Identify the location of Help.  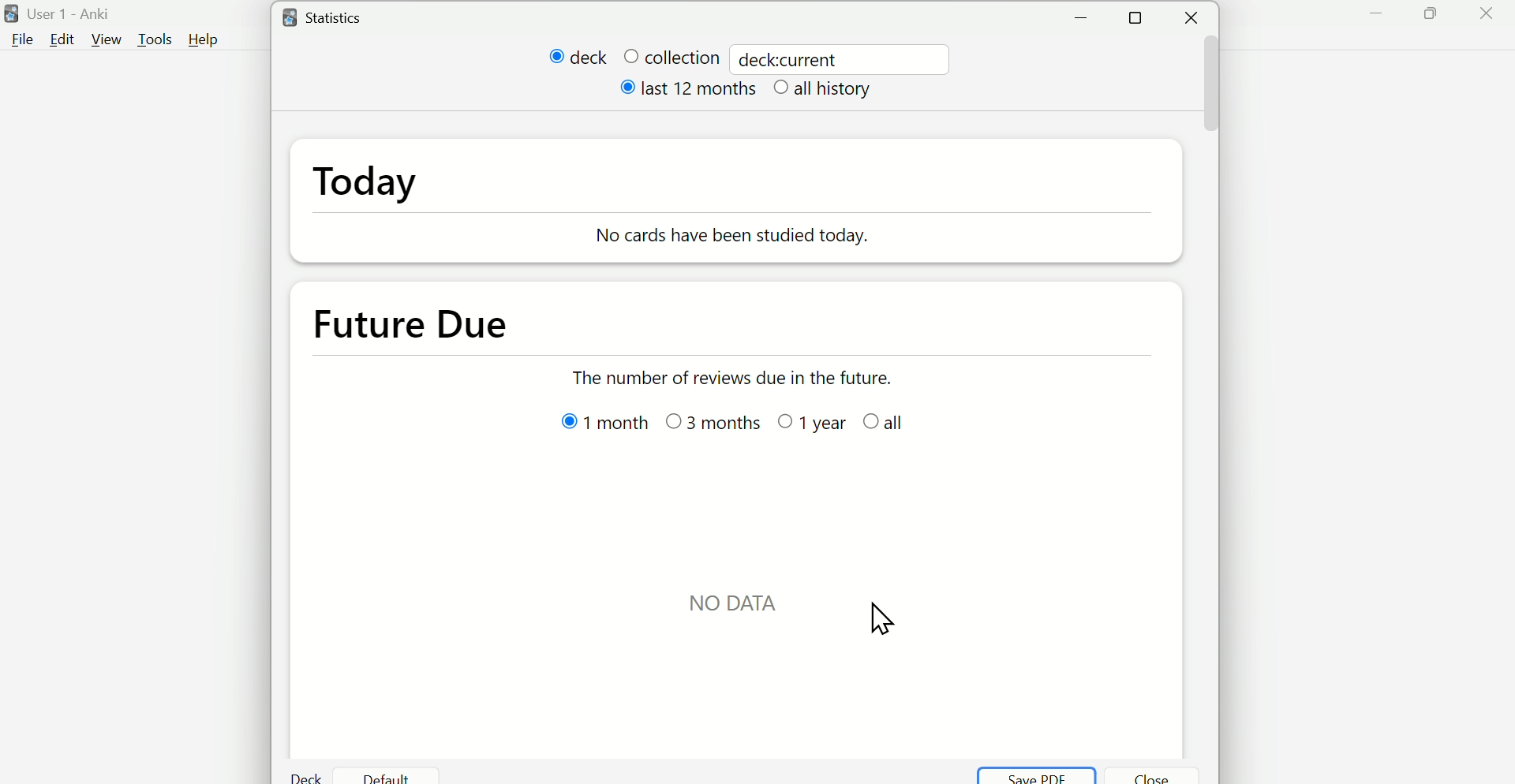
(204, 39).